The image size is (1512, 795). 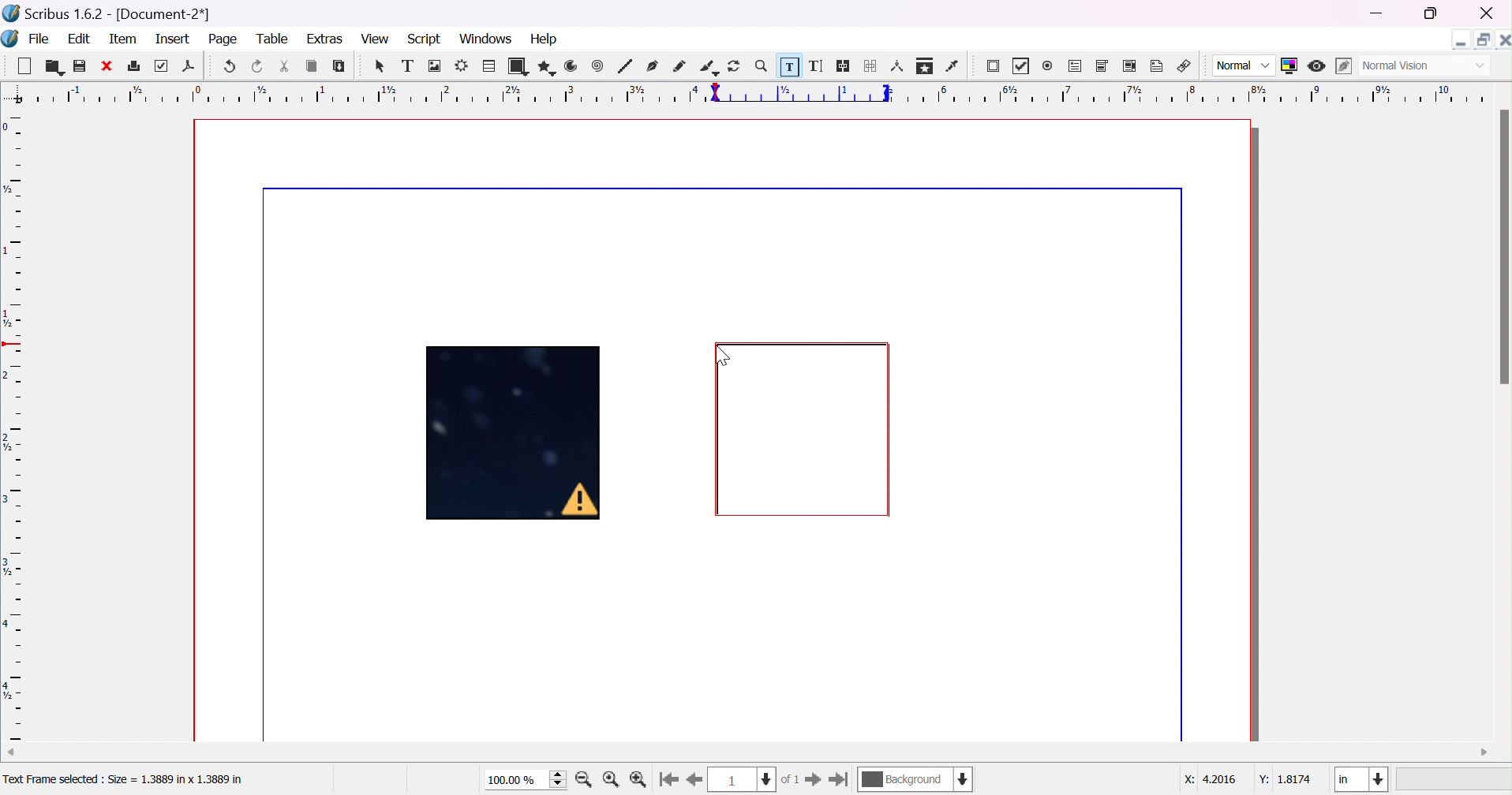 I want to click on rotate item, so click(x=735, y=65).